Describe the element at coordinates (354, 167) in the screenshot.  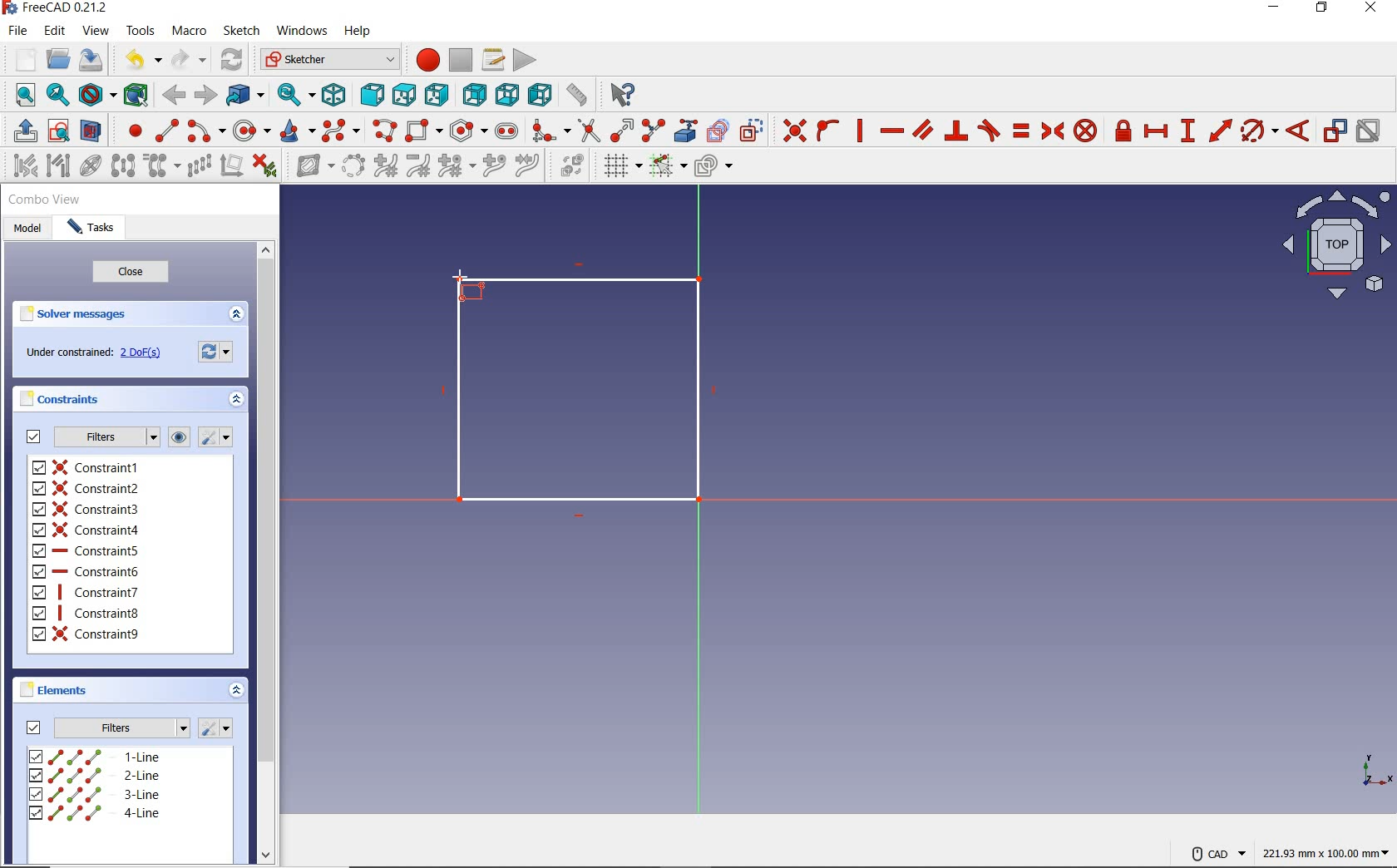
I see `convert geometry to B-Spline` at that location.